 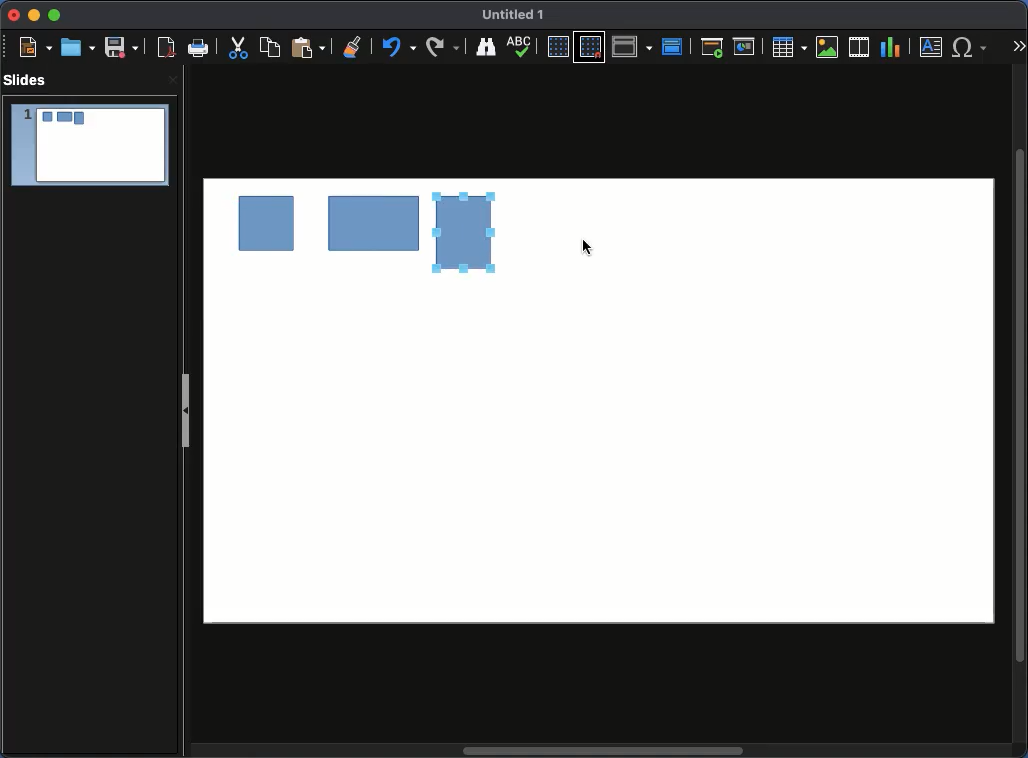 I want to click on Slide, so click(x=89, y=145).